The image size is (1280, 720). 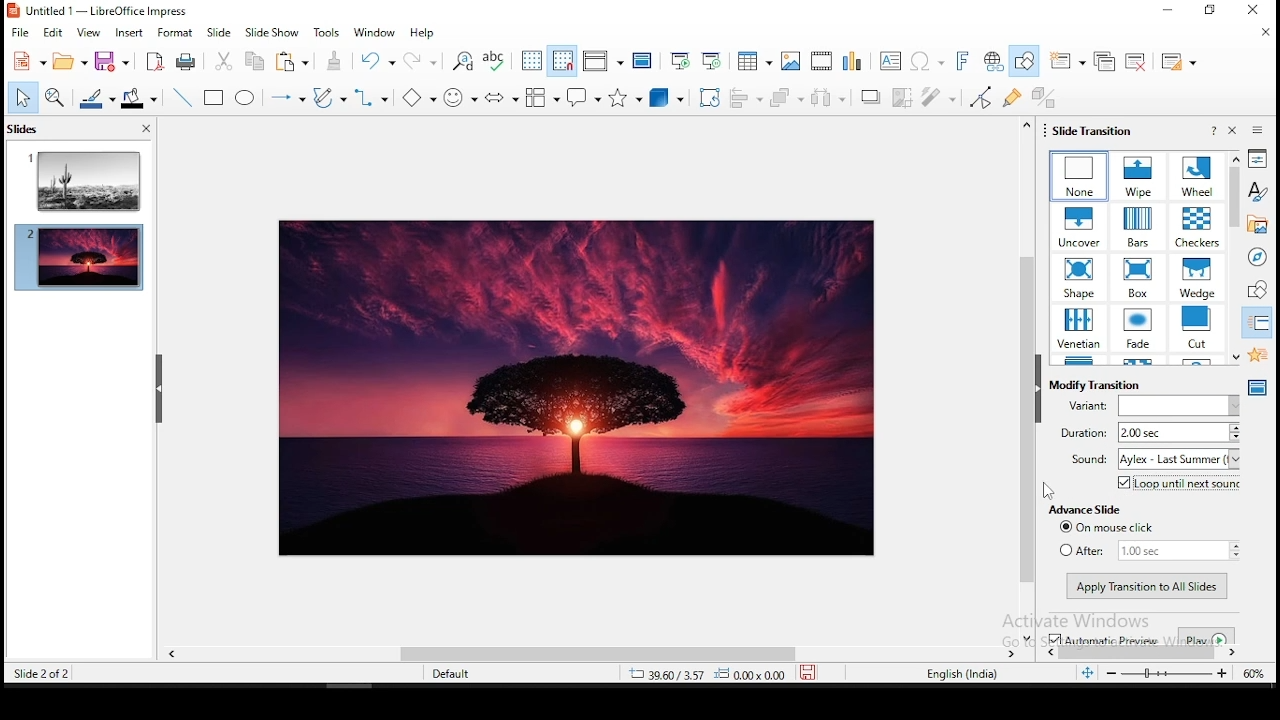 I want to click on show gluepoint functions, so click(x=1012, y=98).